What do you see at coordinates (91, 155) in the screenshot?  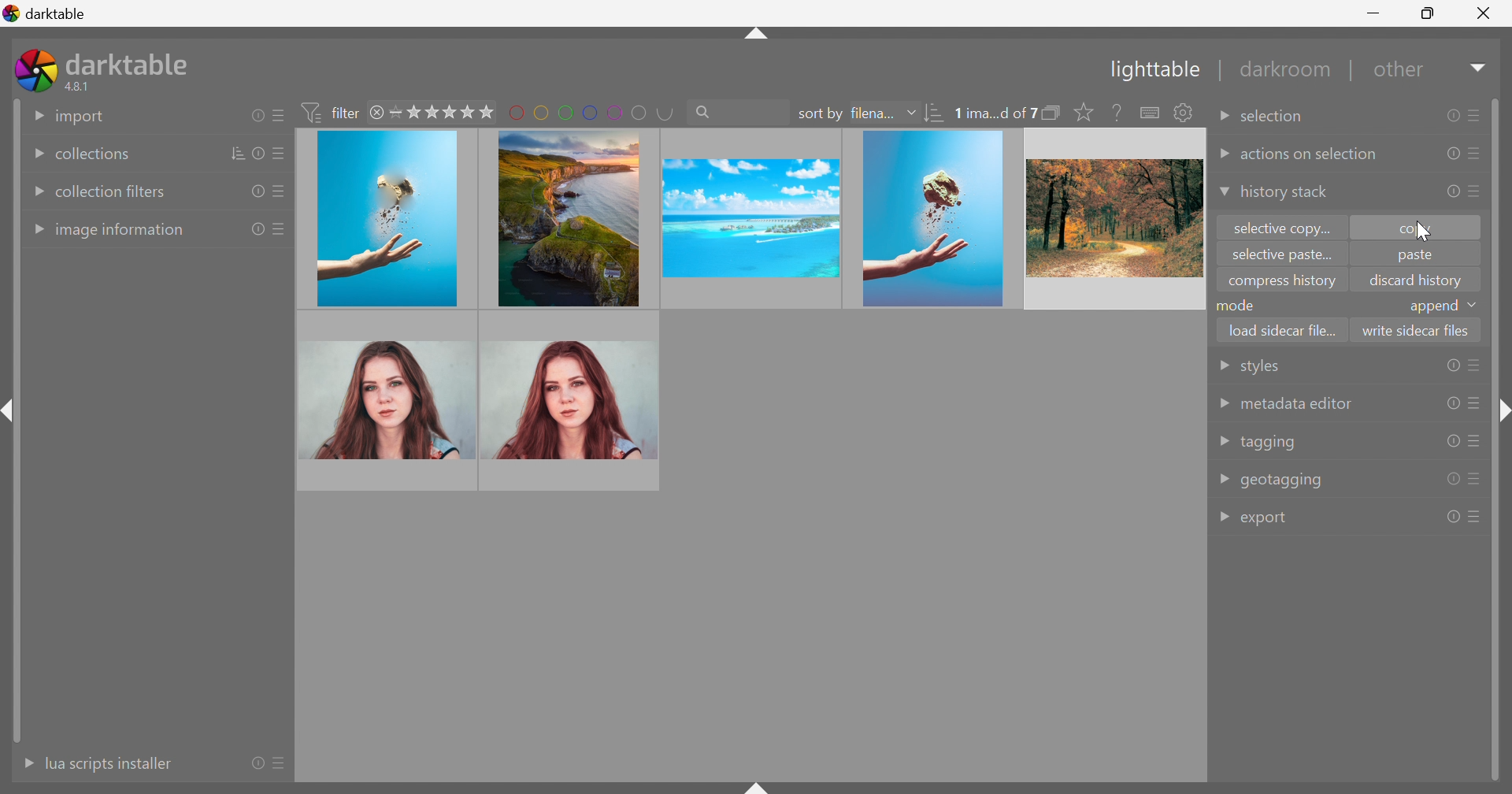 I see `collections` at bounding box center [91, 155].